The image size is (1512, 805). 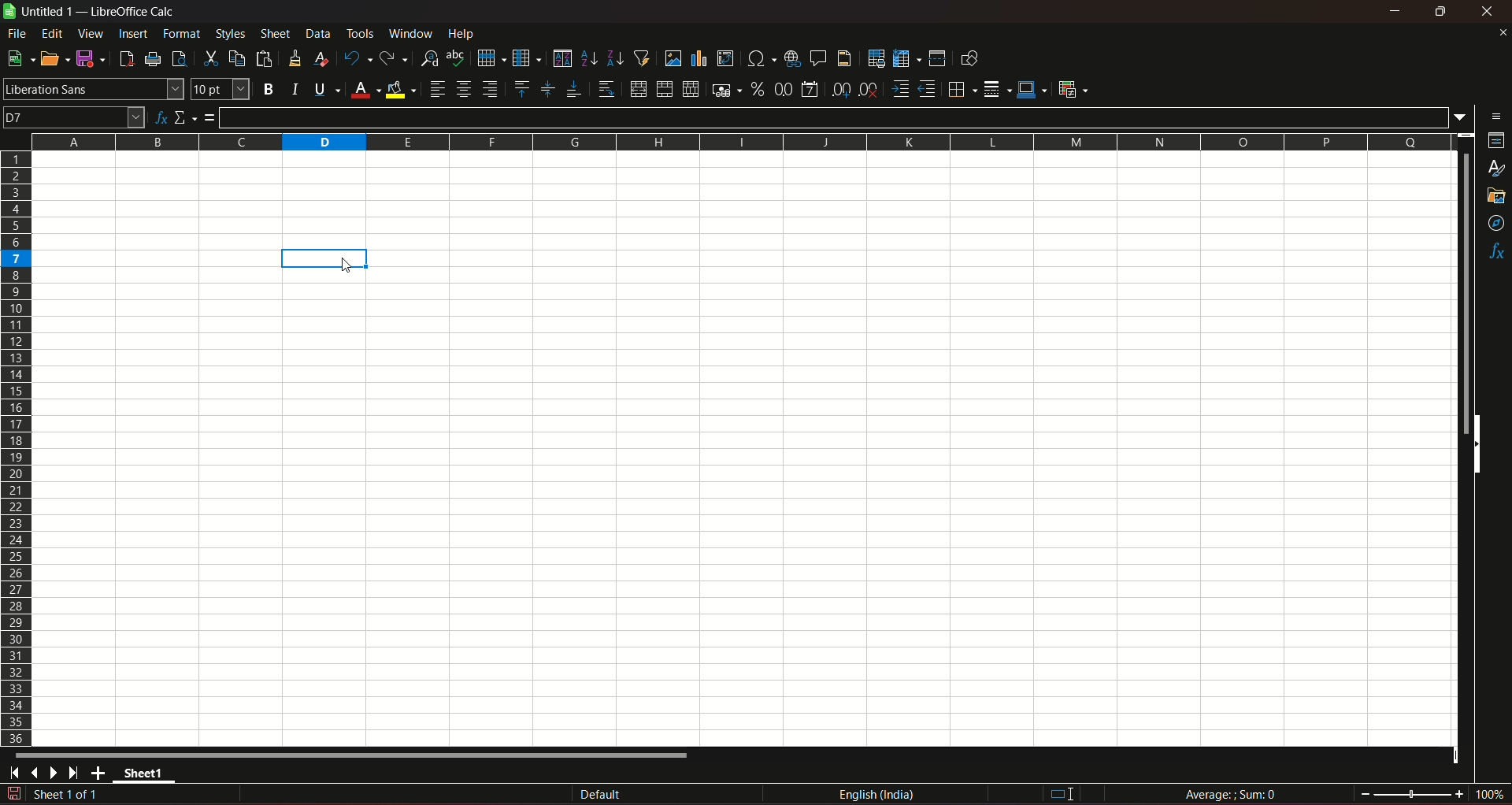 I want to click on headers & footers, so click(x=843, y=57).